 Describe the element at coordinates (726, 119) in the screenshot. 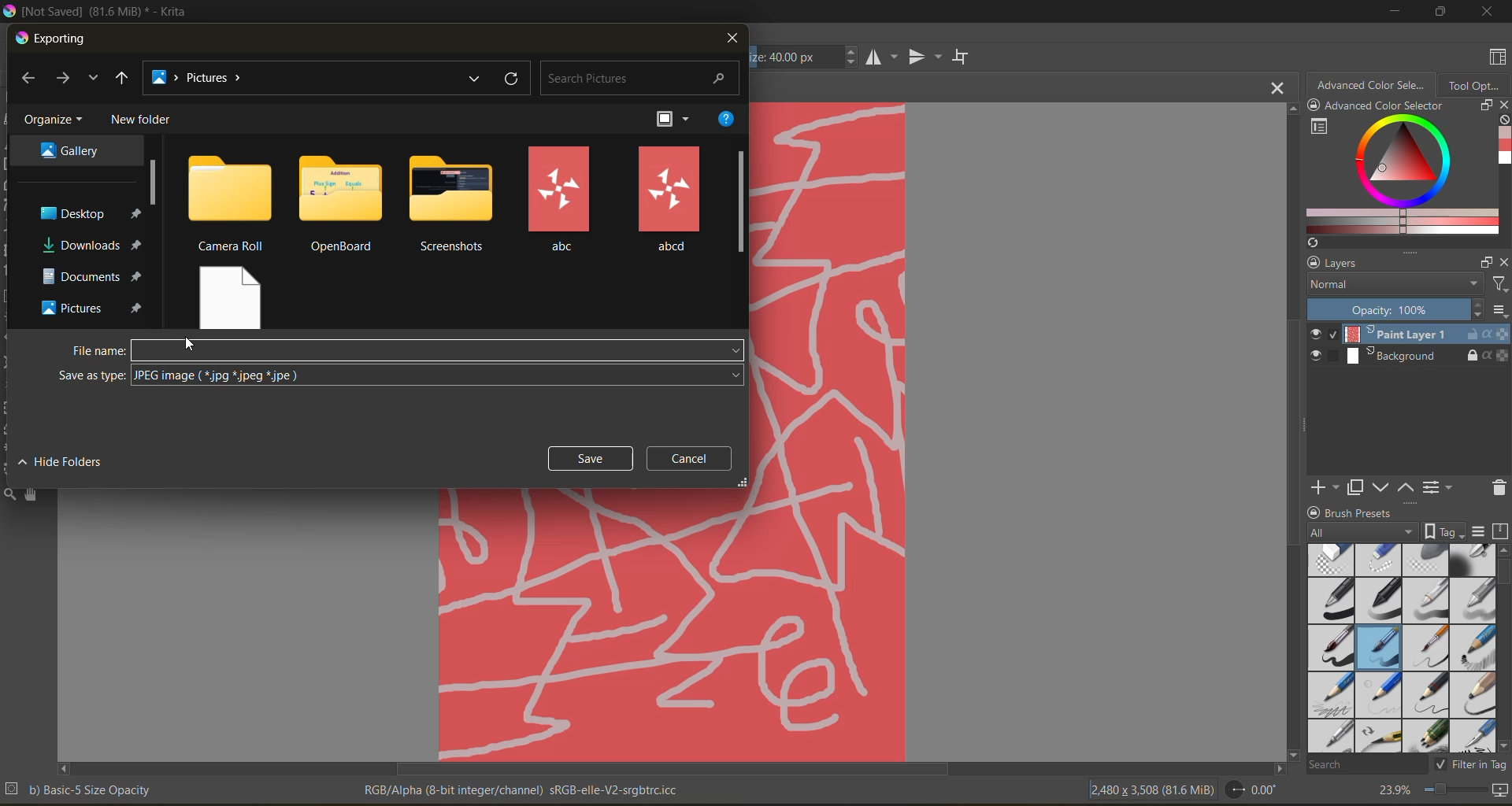

I see `help` at that location.